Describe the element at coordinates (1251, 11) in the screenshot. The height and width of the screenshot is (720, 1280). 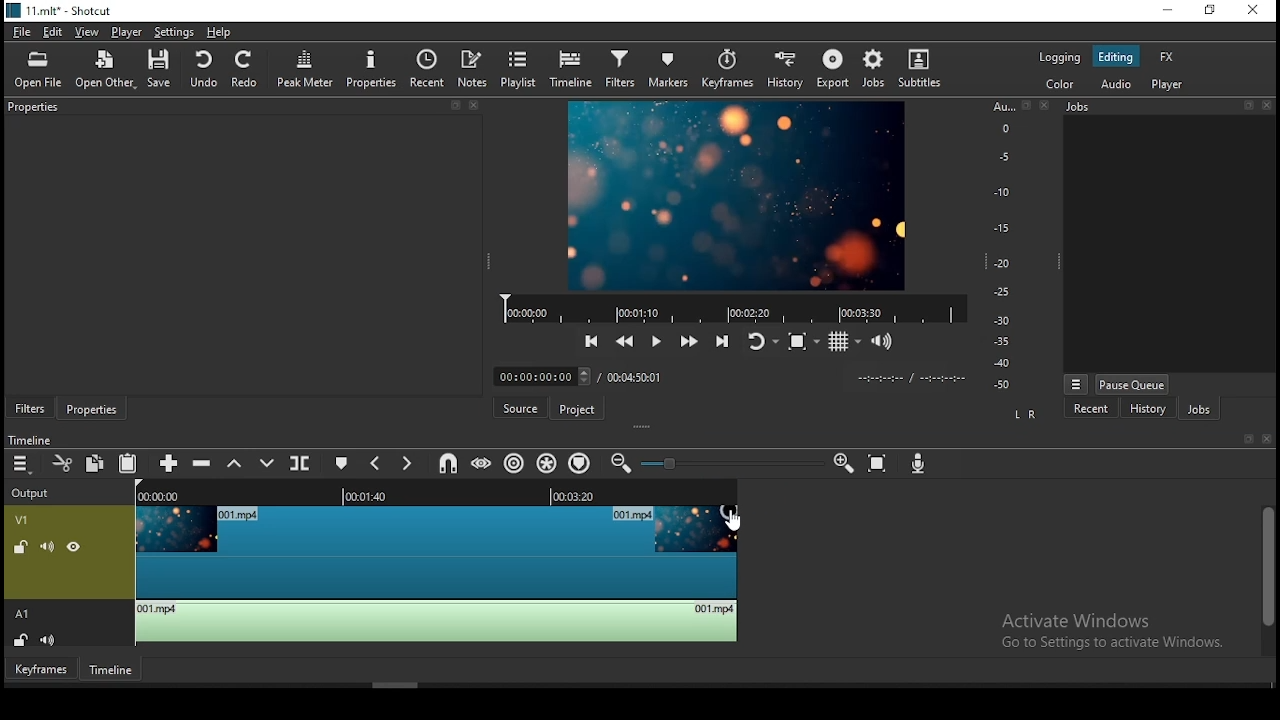
I see `close window` at that location.